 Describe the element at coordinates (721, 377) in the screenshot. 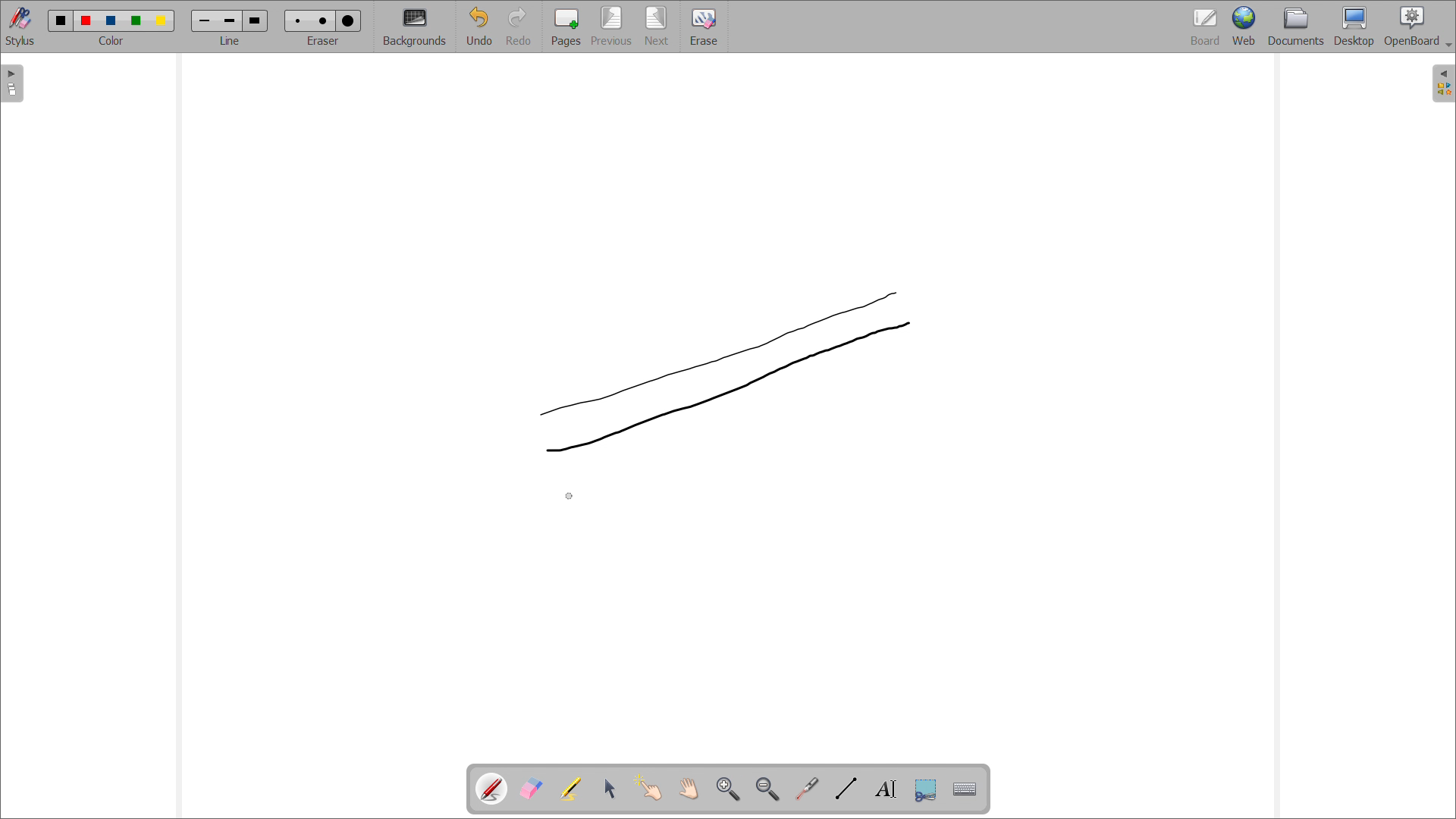

I see `2nd line drawn` at that location.